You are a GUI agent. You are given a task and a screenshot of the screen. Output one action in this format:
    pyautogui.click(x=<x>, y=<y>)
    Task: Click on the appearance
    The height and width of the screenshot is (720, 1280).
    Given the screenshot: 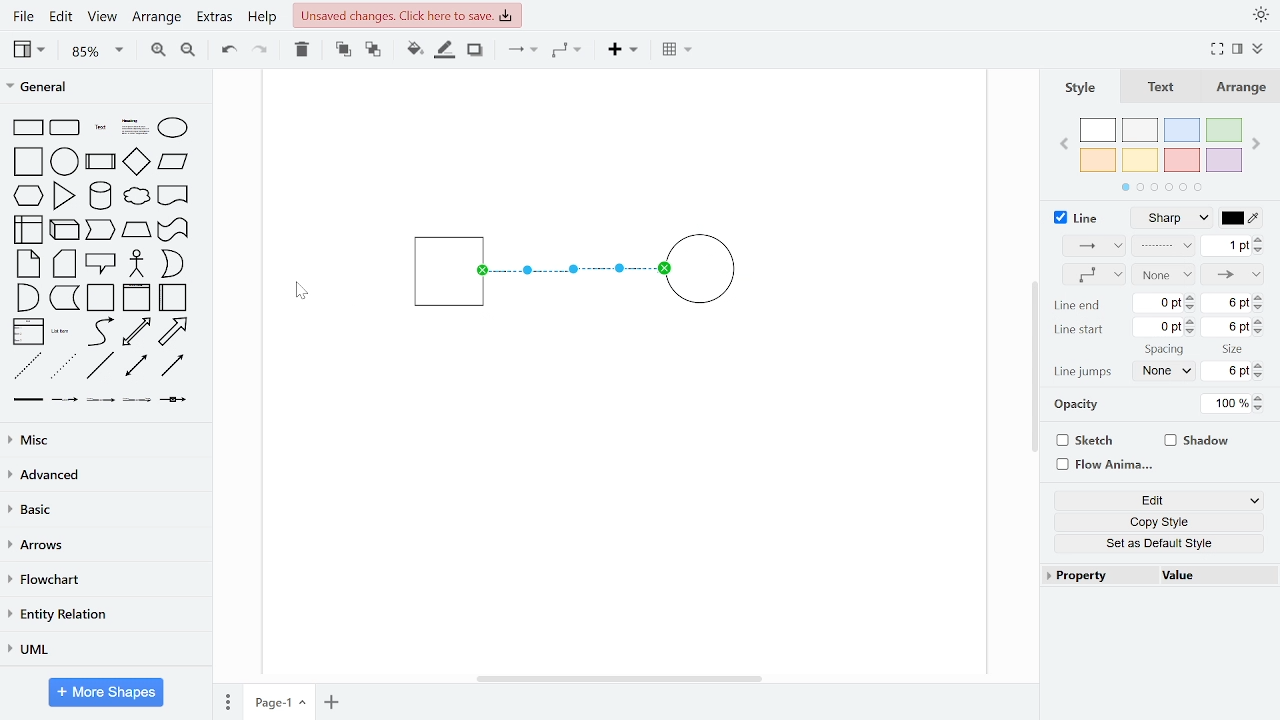 What is the action you would take?
    pyautogui.click(x=1260, y=15)
    